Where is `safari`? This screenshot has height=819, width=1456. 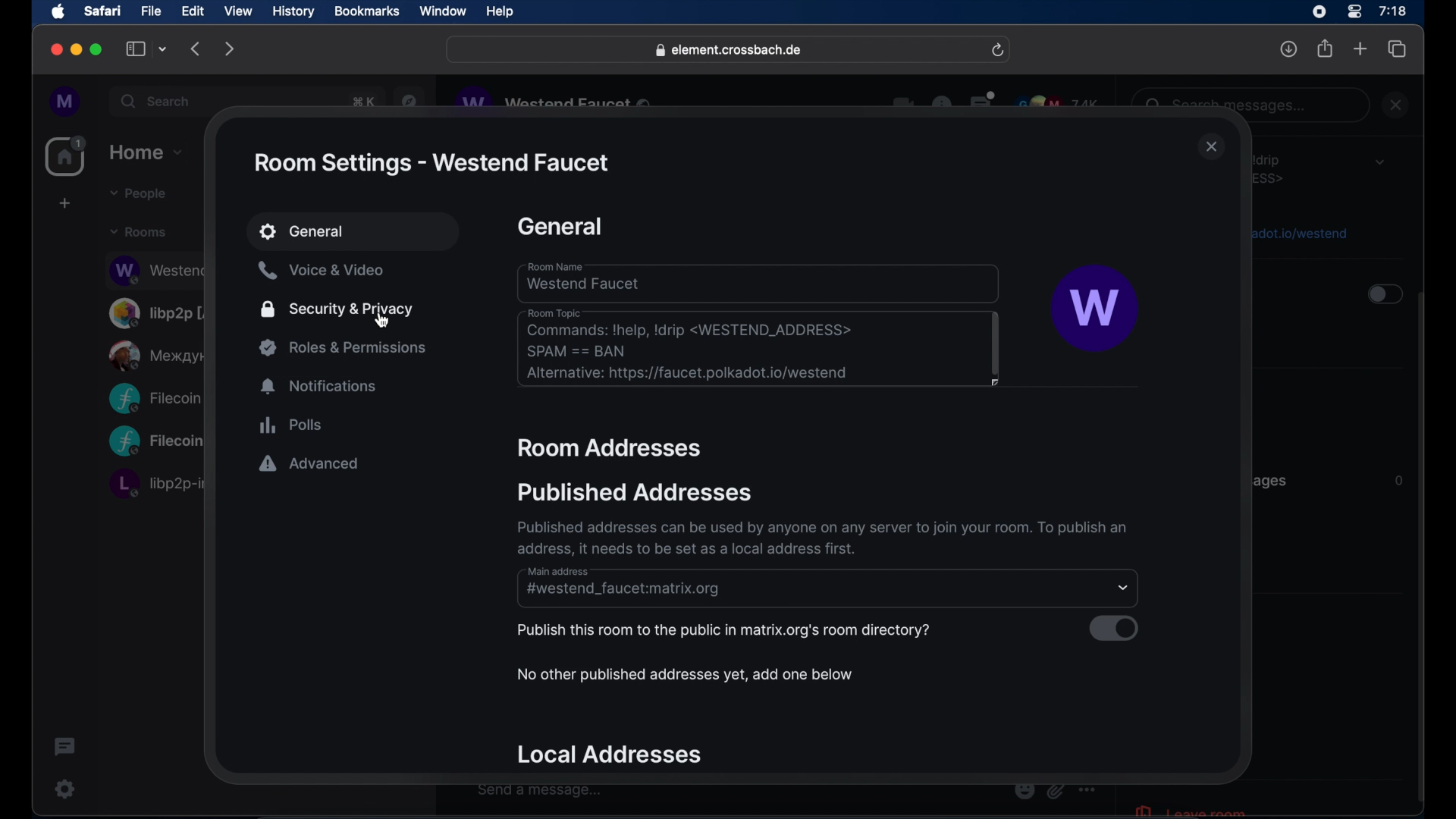 safari is located at coordinates (102, 11).